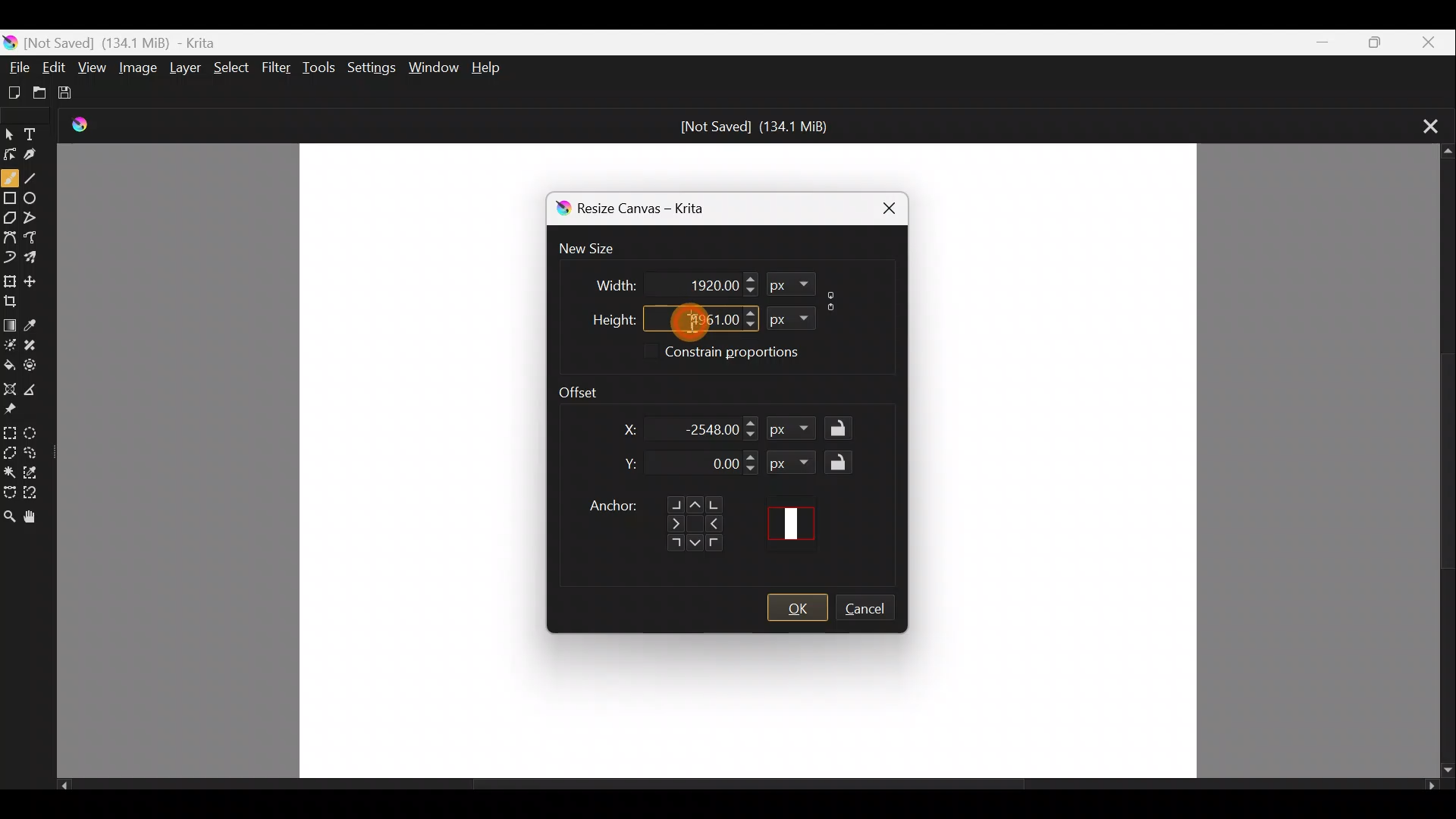  Describe the element at coordinates (834, 298) in the screenshot. I see `Constrain proportions` at that location.